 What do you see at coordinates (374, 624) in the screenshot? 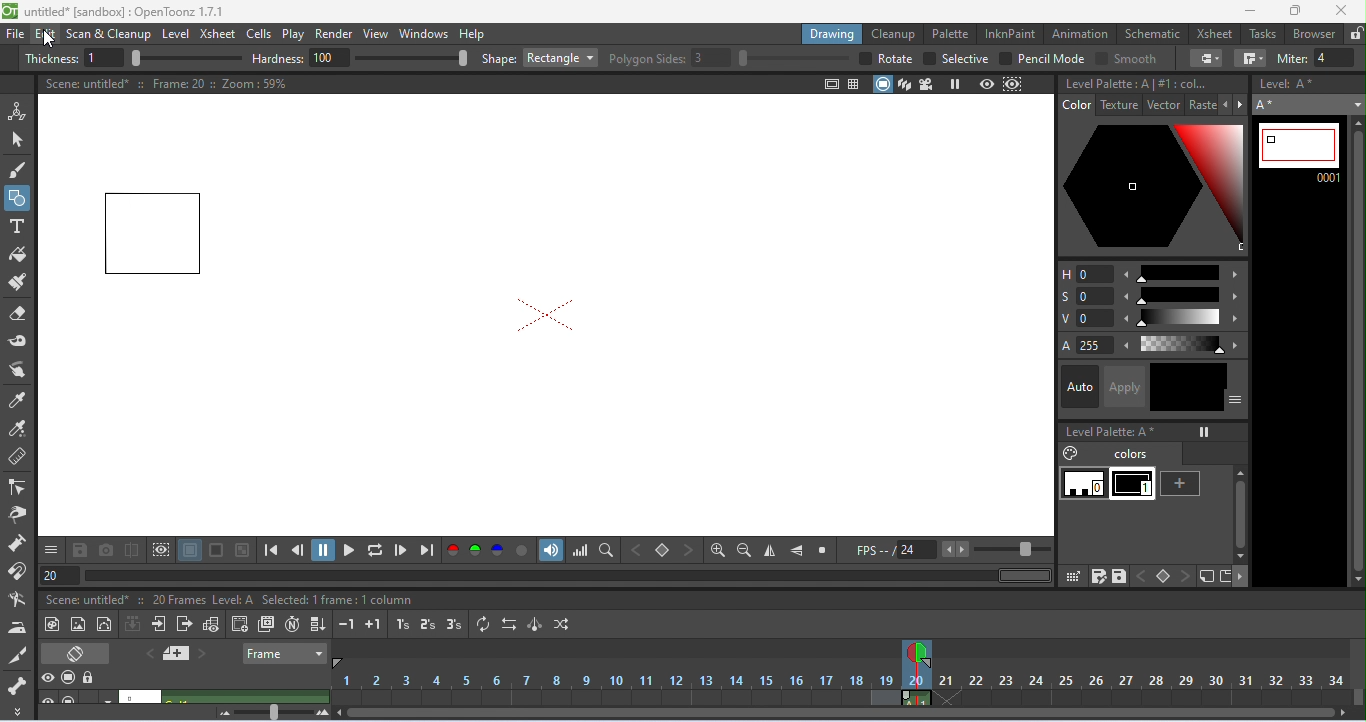
I see `increase step` at bounding box center [374, 624].